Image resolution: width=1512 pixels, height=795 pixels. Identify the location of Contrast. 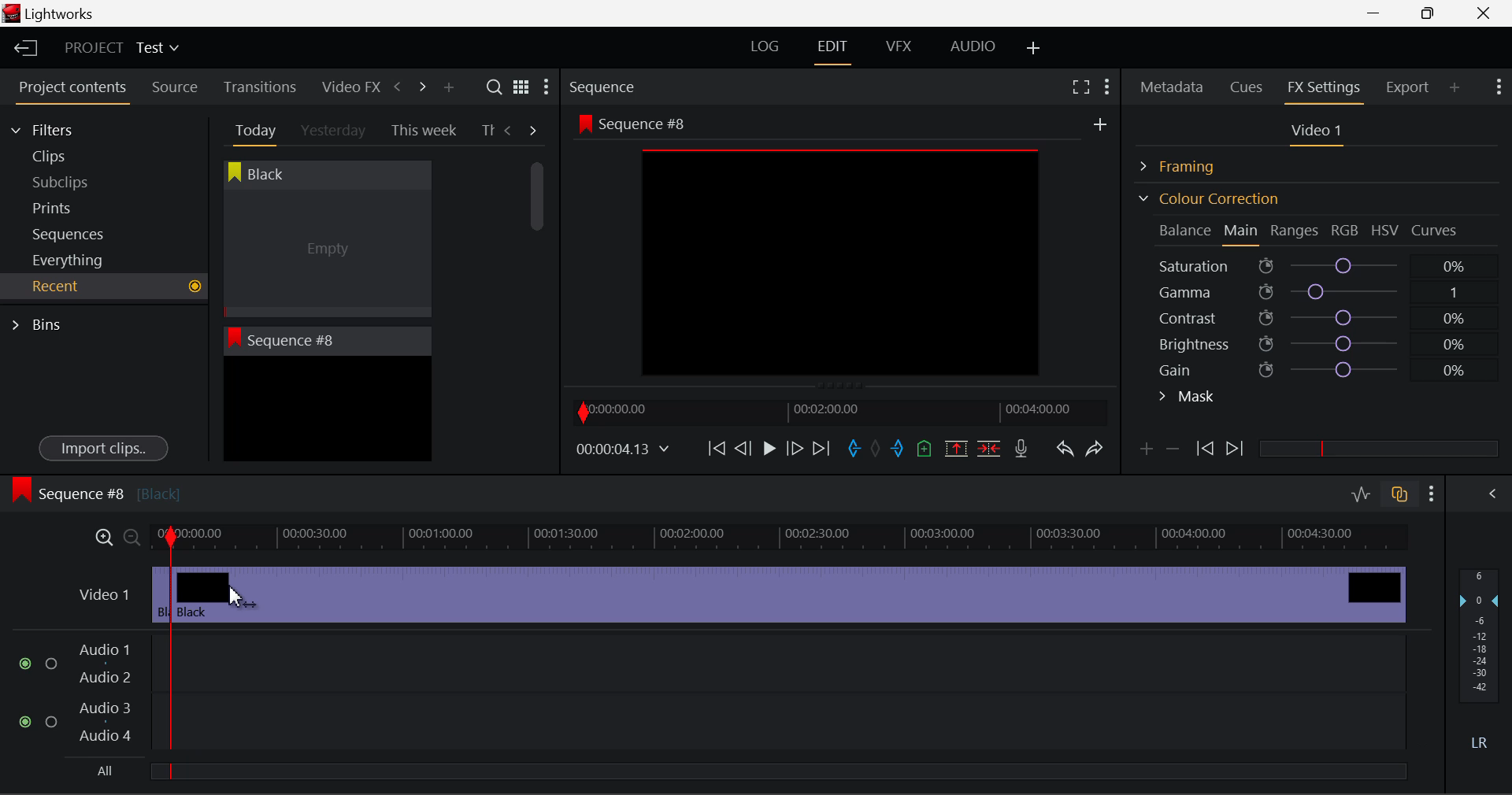
(1318, 317).